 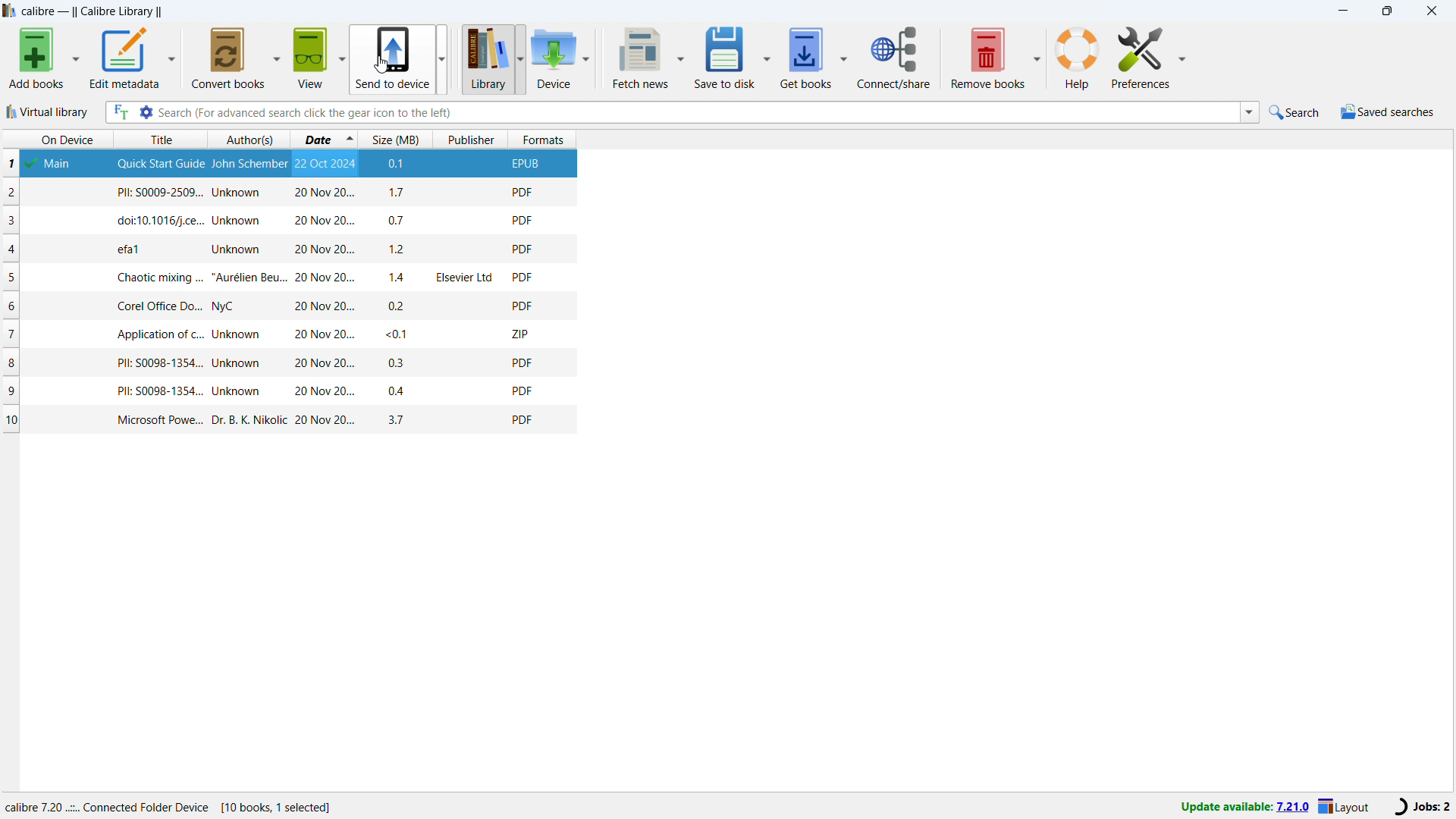 What do you see at coordinates (843, 58) in the screenshot?
I see `get books options` at bounding box center [843, 58].